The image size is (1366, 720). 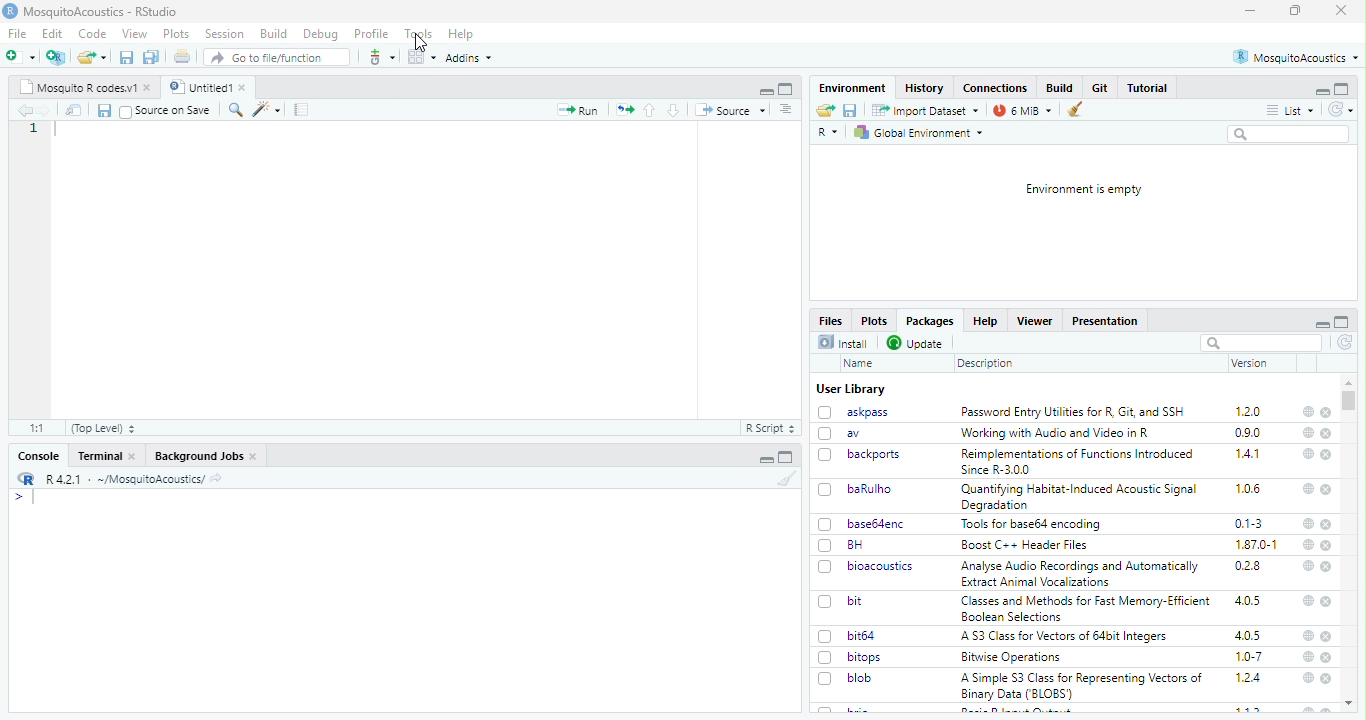 I want to click on checkbox, so click(x=826, y=603).